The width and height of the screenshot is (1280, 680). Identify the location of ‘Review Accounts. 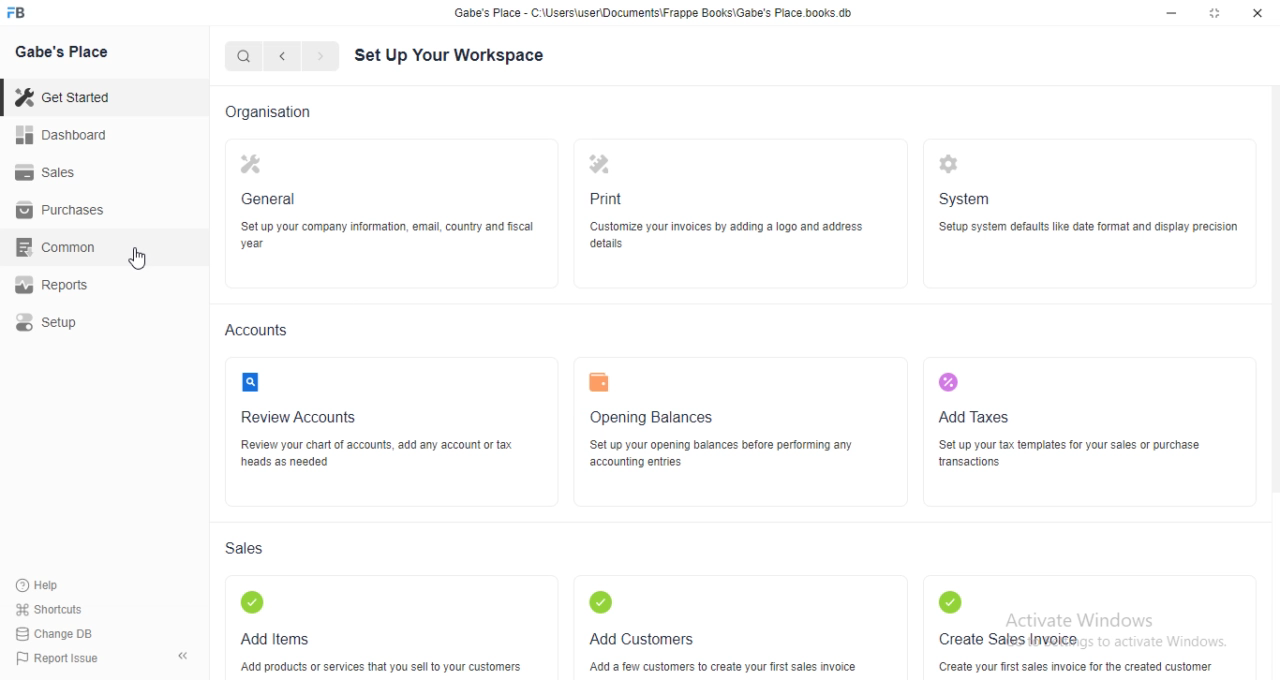
(300, 397).